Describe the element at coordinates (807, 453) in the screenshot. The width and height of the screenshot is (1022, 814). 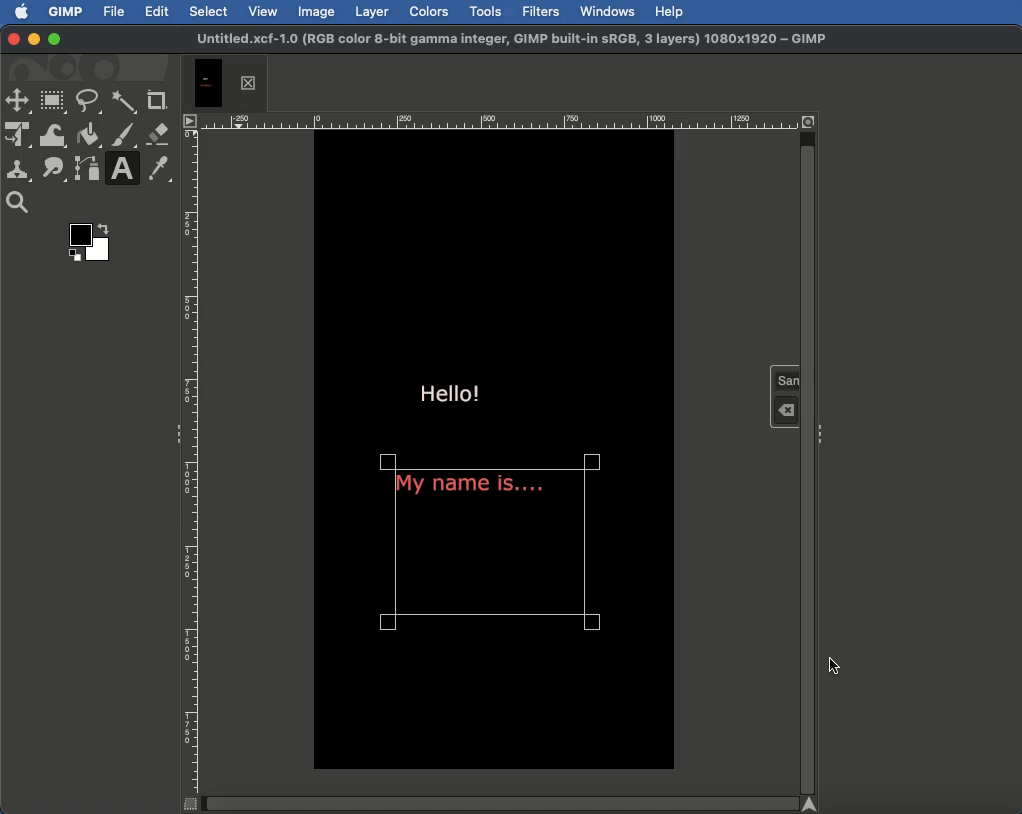
I see `Scroll` at that location.